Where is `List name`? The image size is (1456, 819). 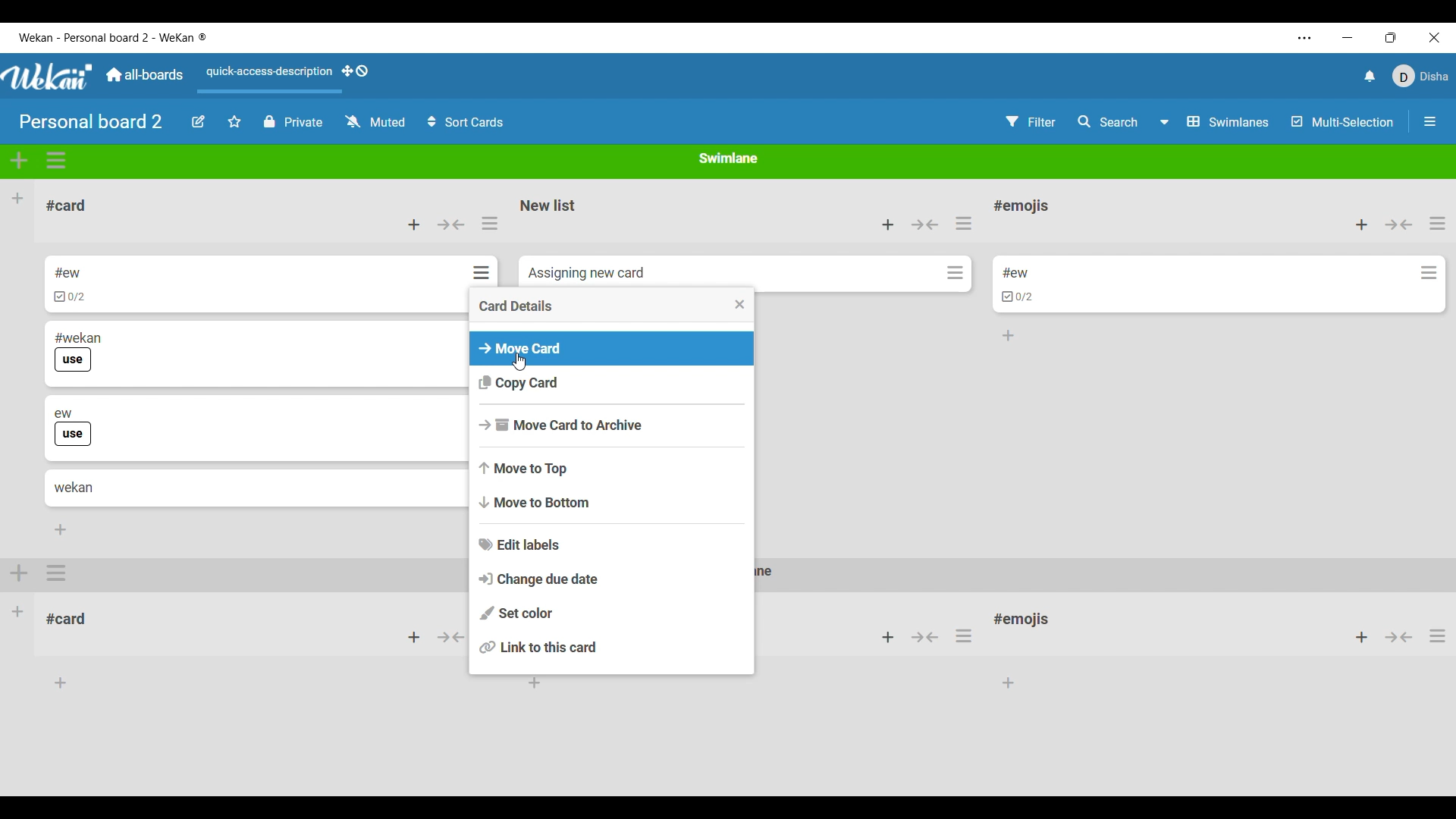 List name is located at coordinates (548, 206).